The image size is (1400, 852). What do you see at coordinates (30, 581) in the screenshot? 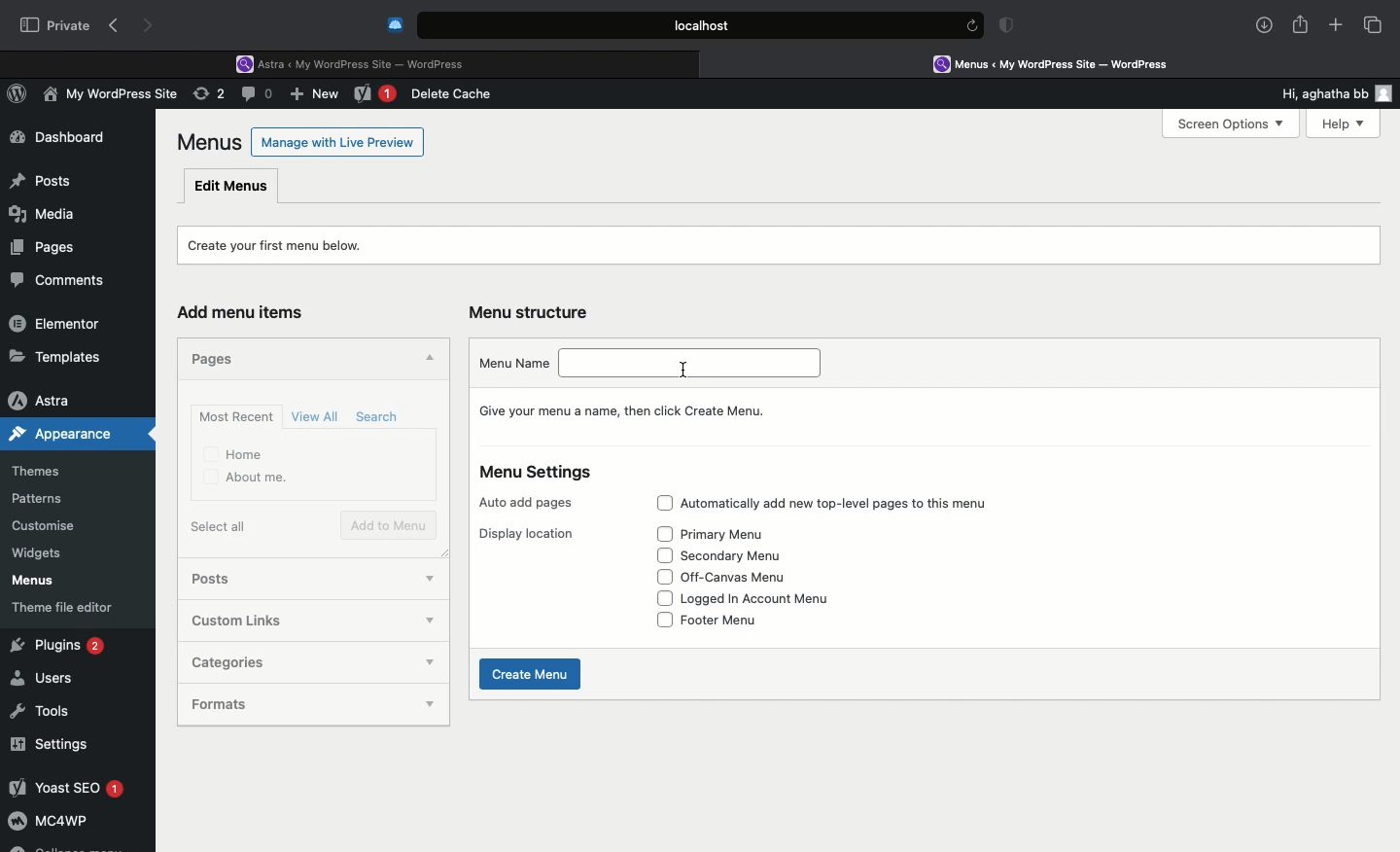
I see `Menus` at bounding box center [30, 581].